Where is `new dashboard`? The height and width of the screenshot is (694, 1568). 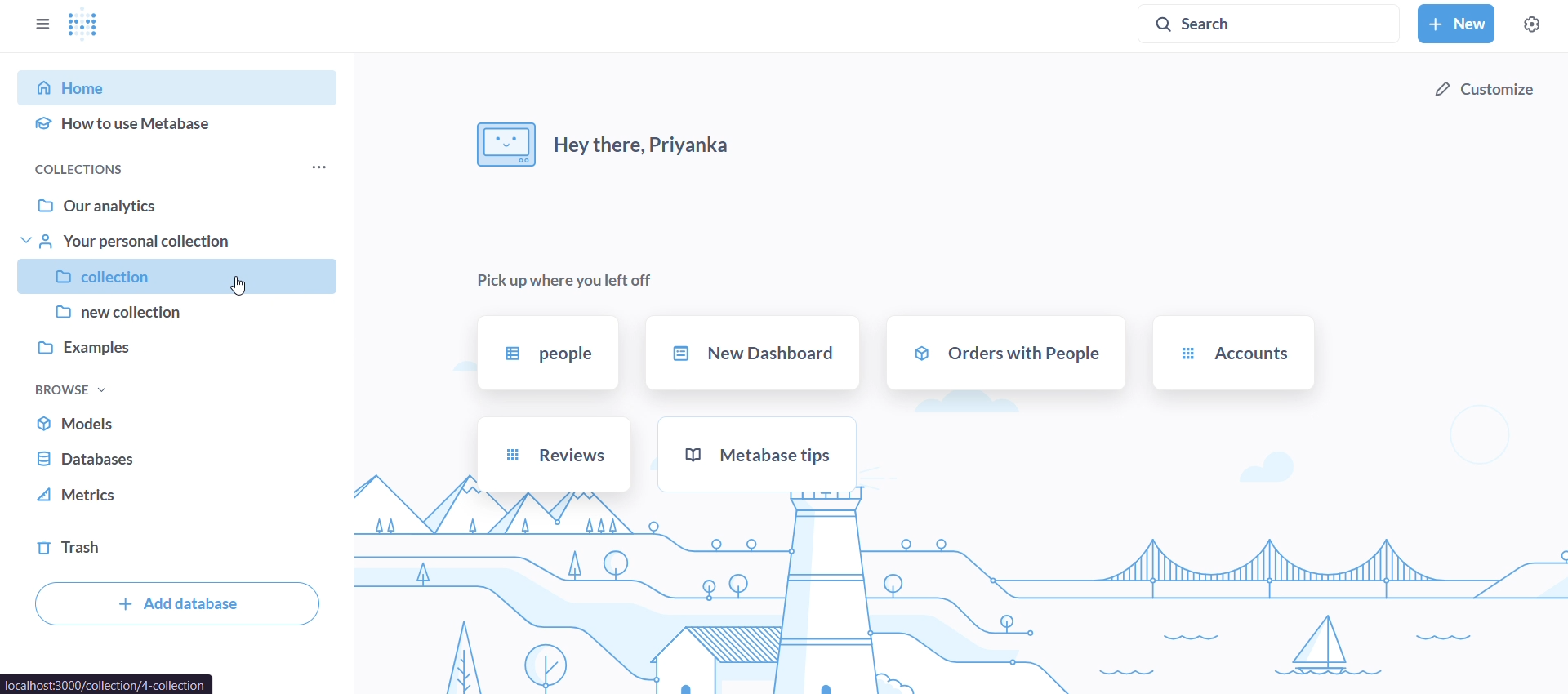
new dashboard is located at coordinates (753, 354).